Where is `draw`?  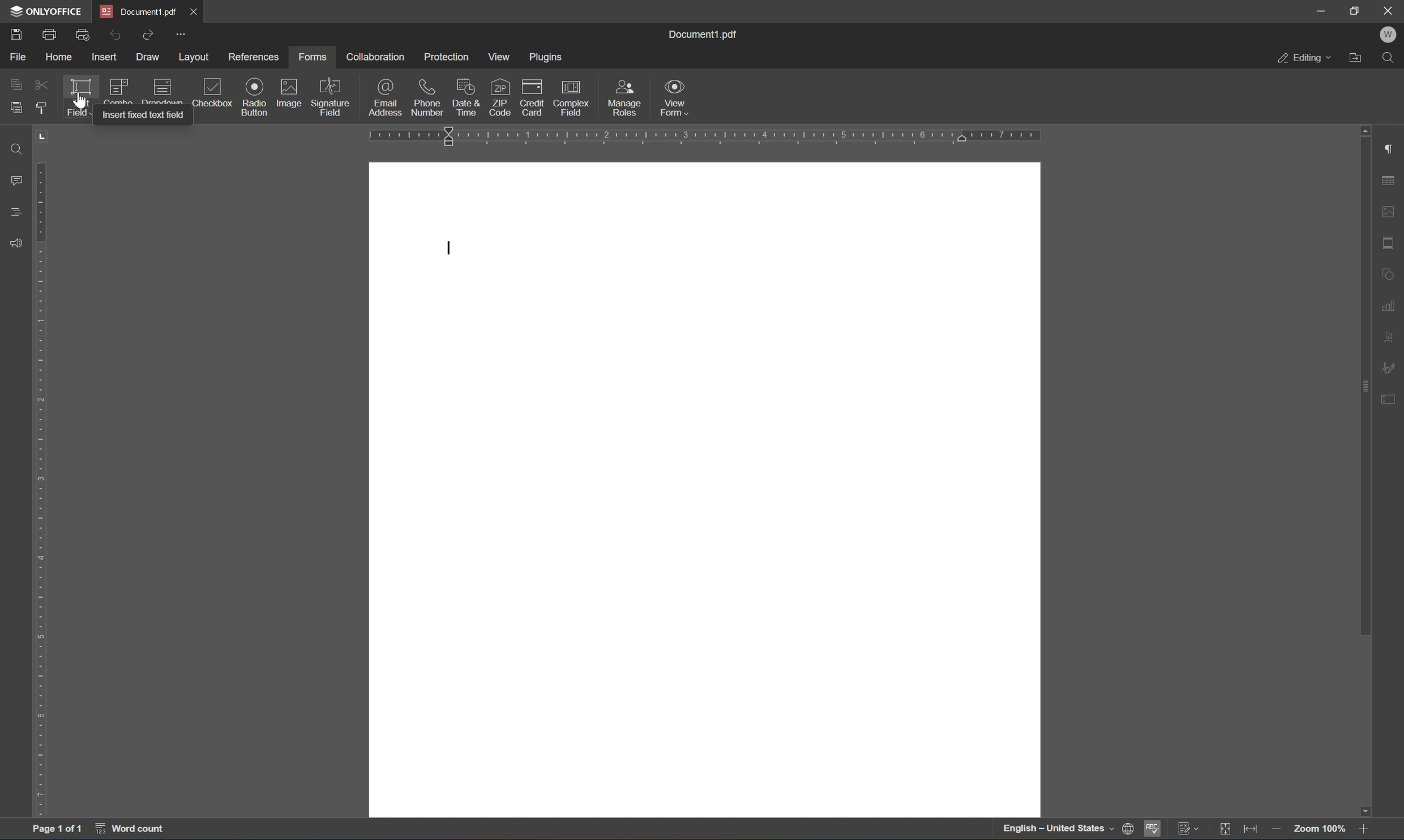
draw is located at coordinates (148, 57).